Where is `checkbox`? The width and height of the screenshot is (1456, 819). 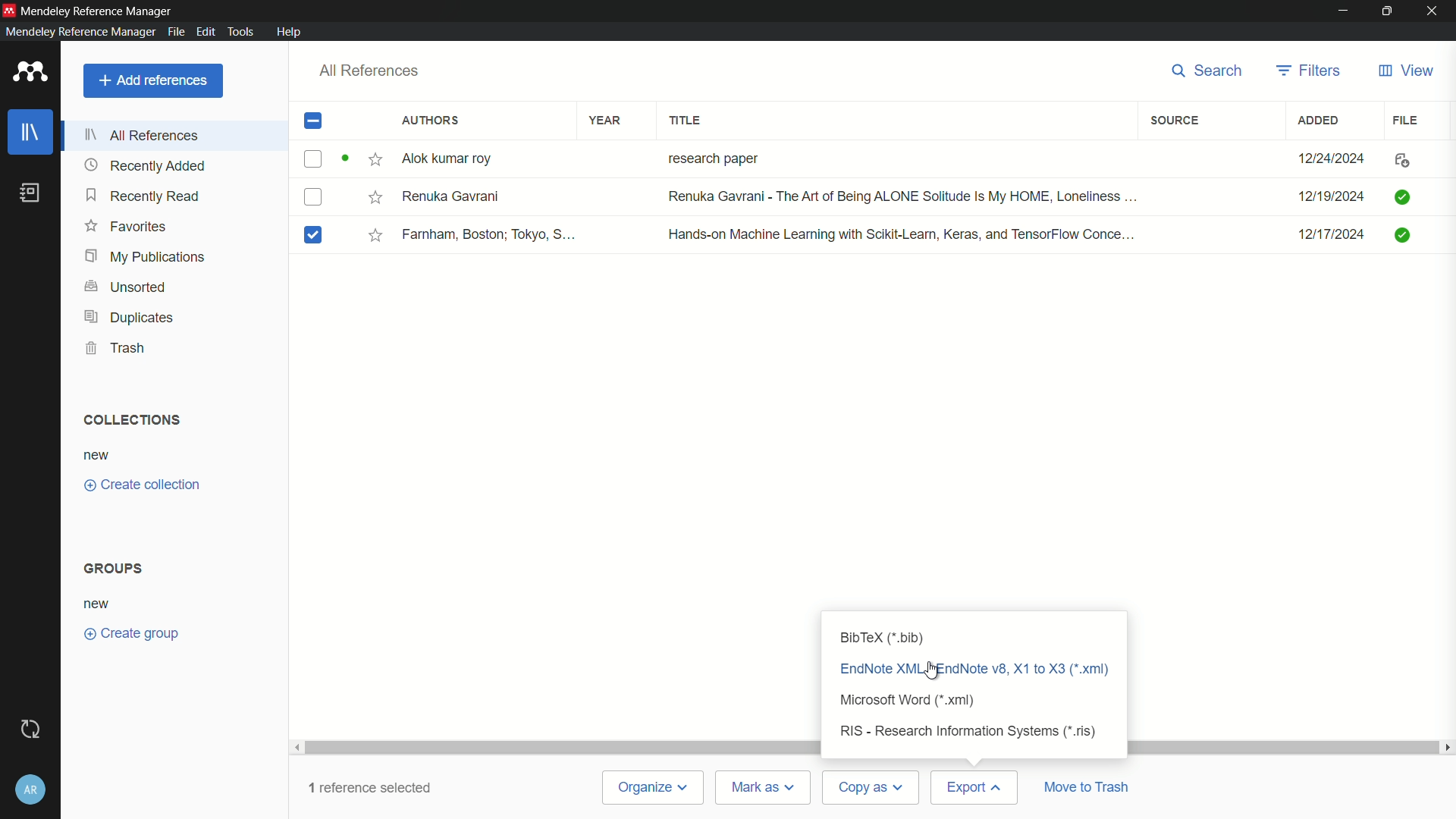 checkbox is located at coordinates (313, 198).